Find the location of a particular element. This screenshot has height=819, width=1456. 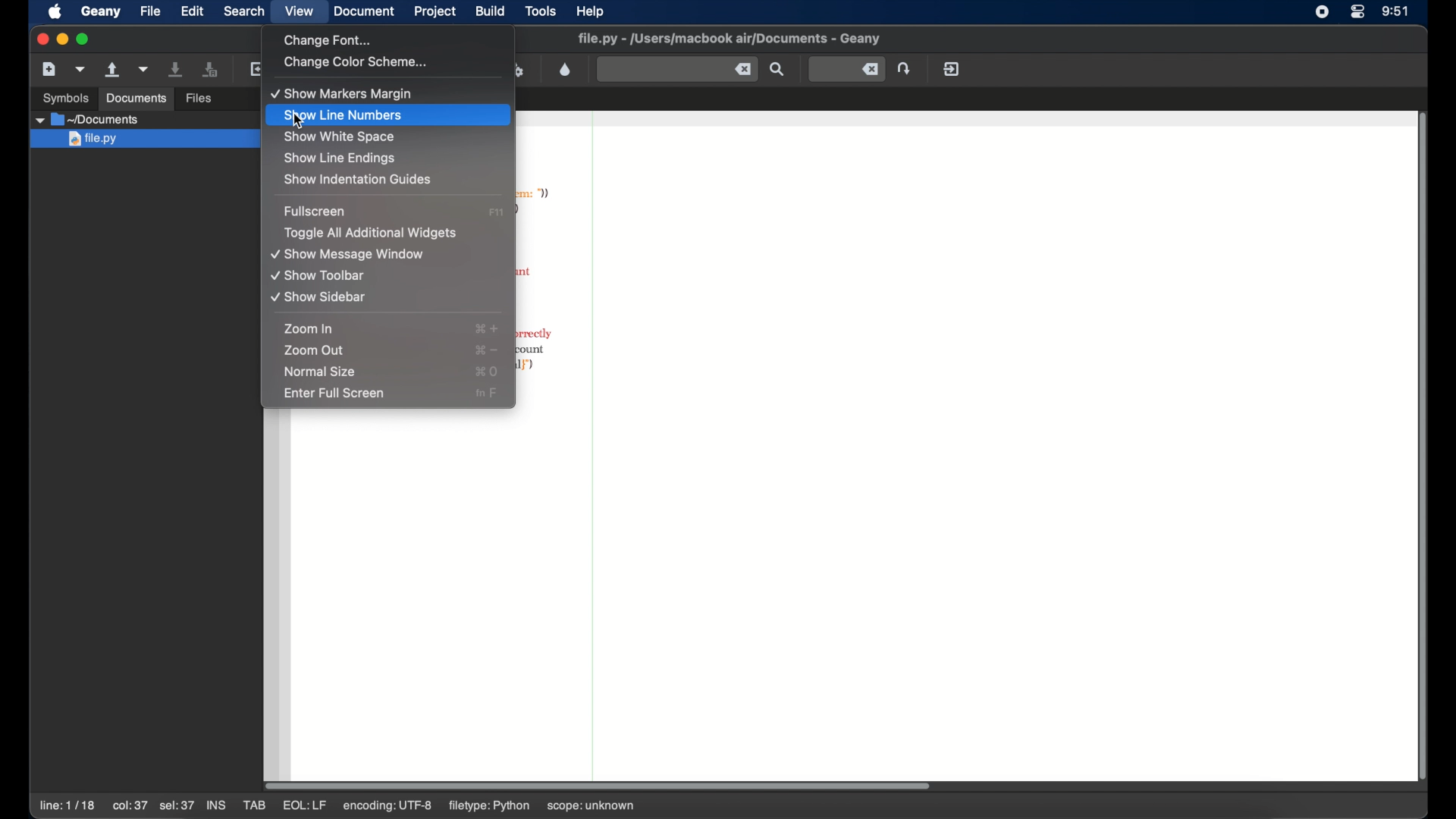

tab is located at coordinates (254, 805).